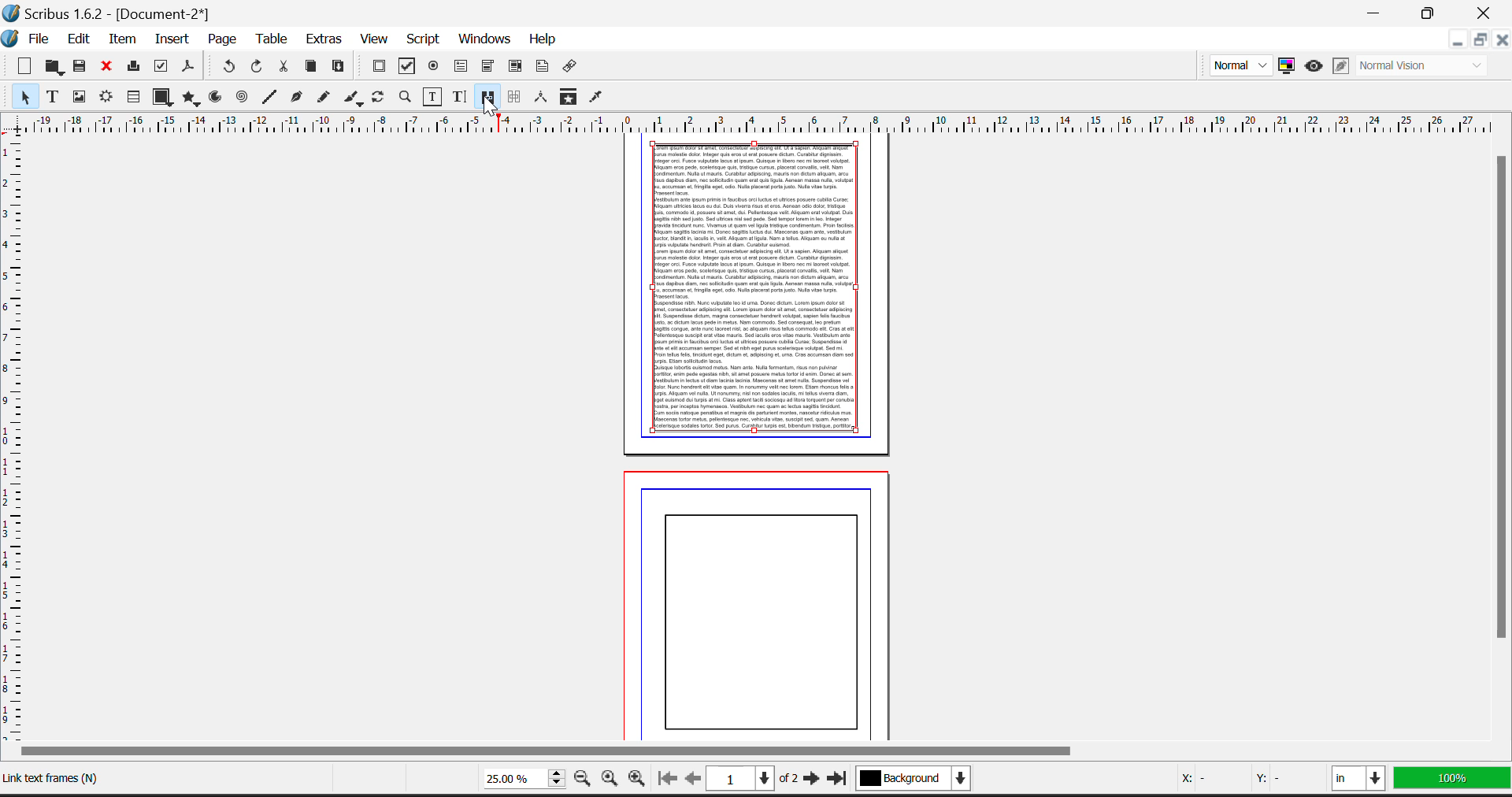 This screenshot has height=797, width=1512. Describe the element at coordinates (374, 40) in the screenshot. I see `View` at that location.